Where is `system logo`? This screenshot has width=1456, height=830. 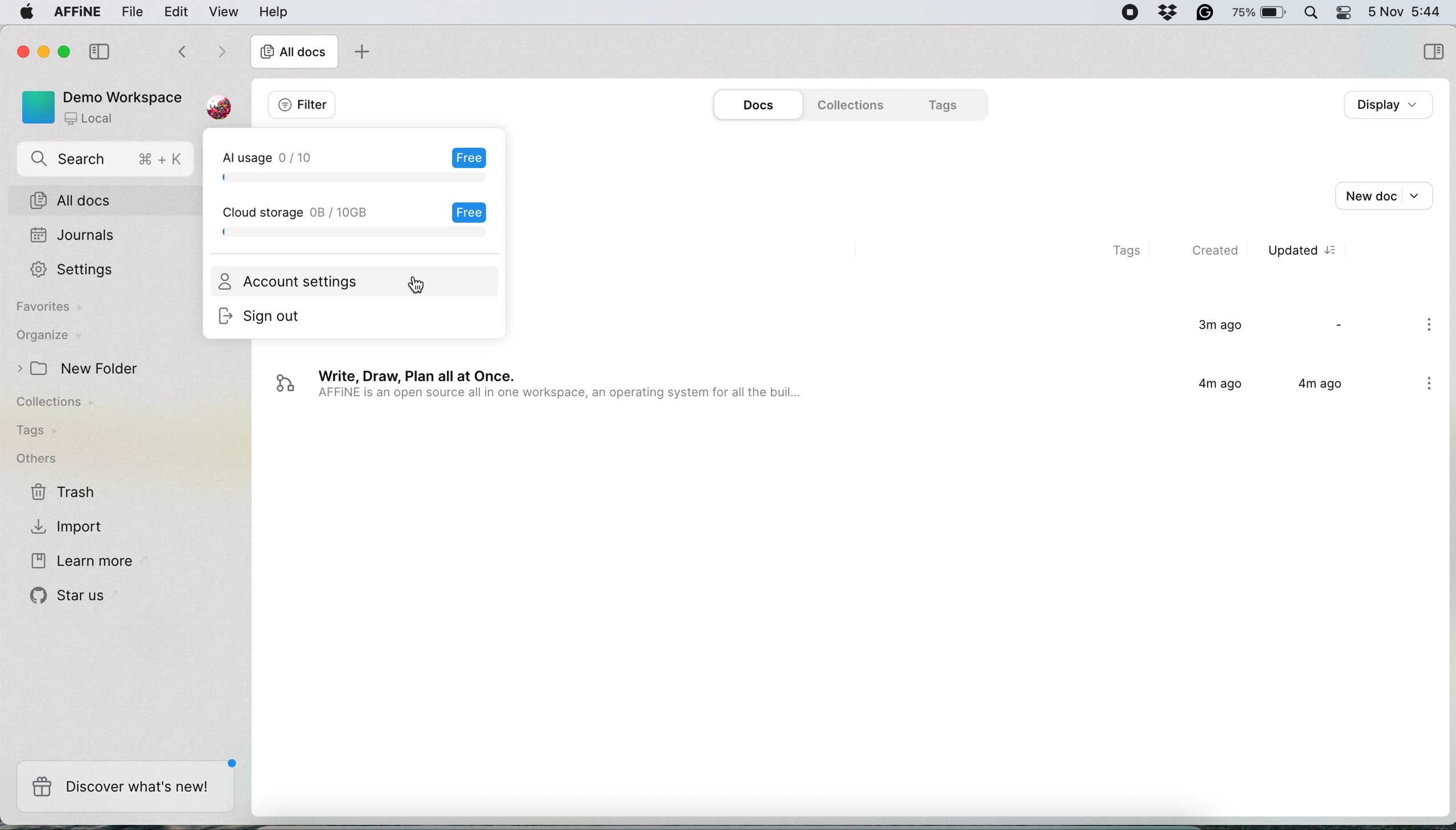 system logo is located at coordinates (22, 14).